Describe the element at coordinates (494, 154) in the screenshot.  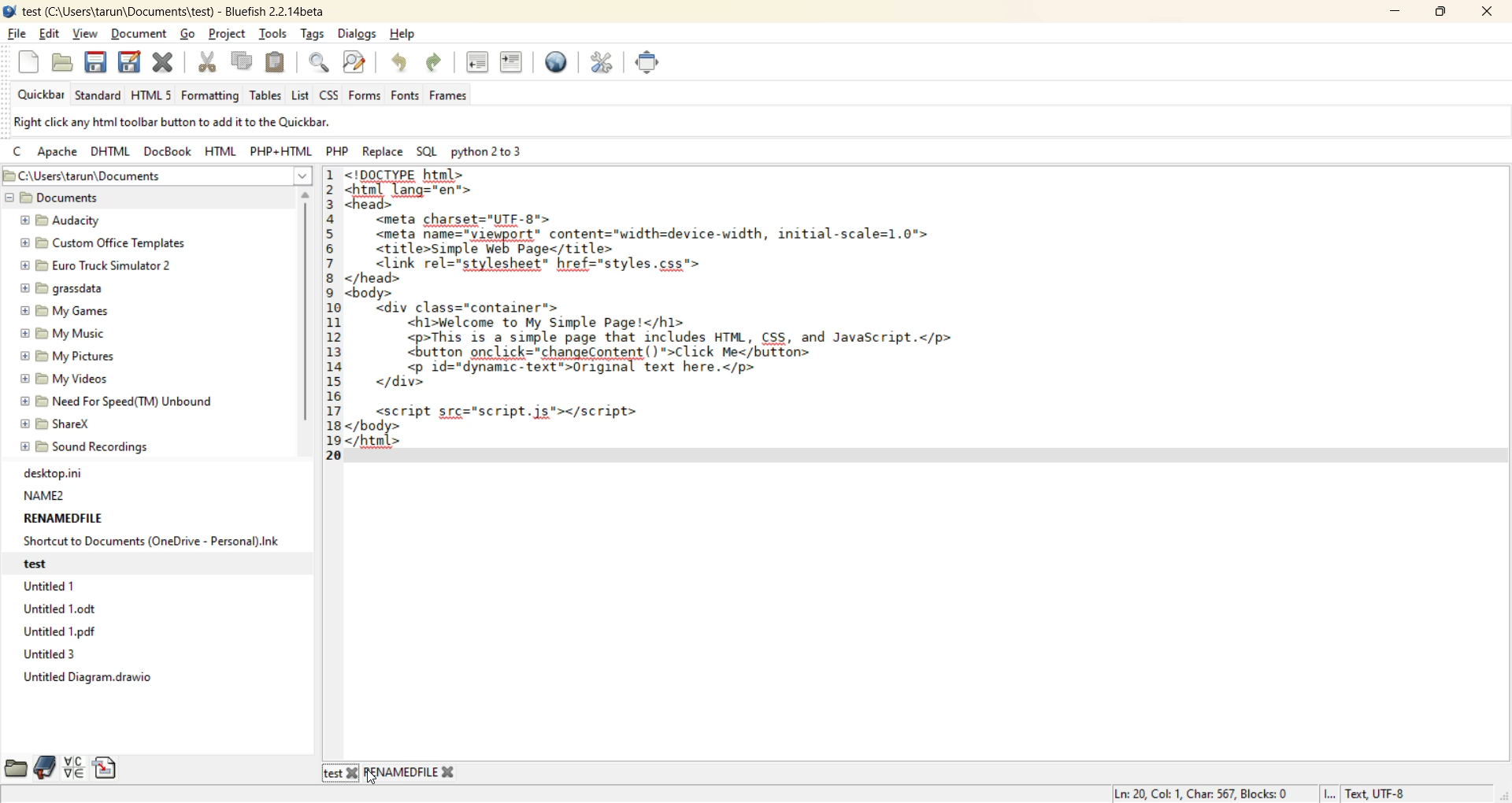
I see `python 2 to 3` at that location.